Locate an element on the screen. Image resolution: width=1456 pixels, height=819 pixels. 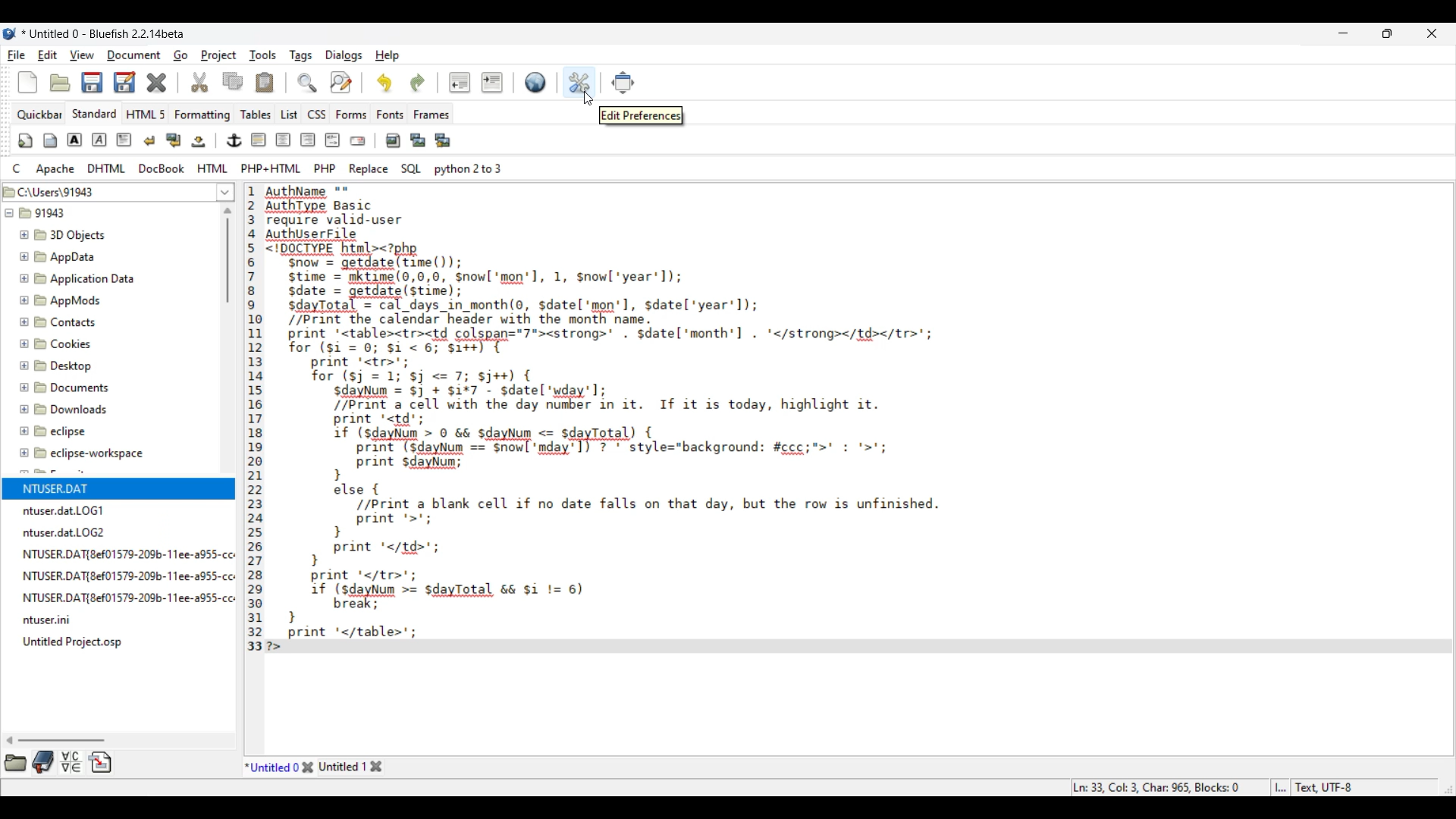
NTUSER.DAT is located at coordinates (99, 486).